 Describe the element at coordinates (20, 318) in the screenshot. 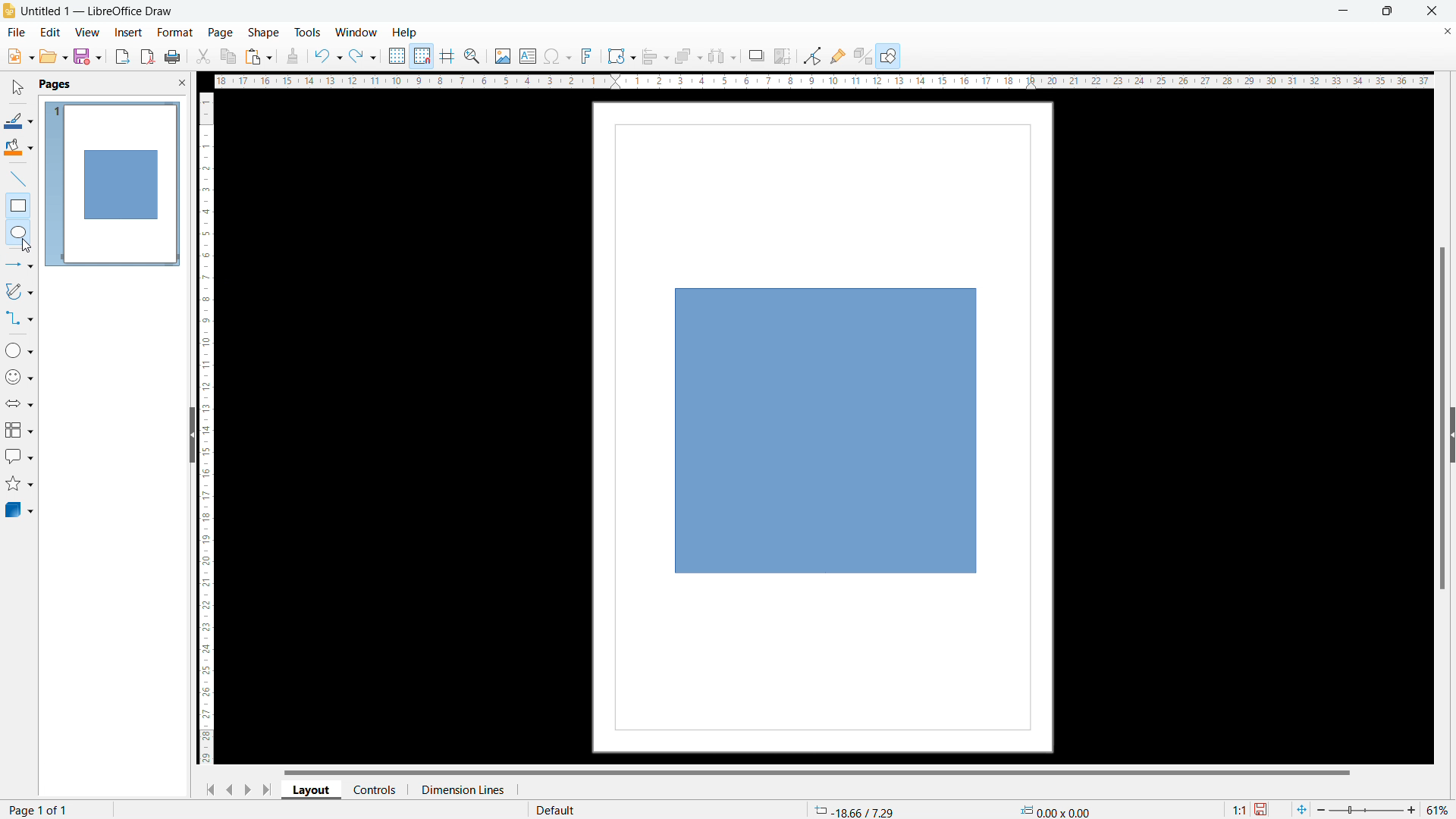

I see `connectors` at that location.